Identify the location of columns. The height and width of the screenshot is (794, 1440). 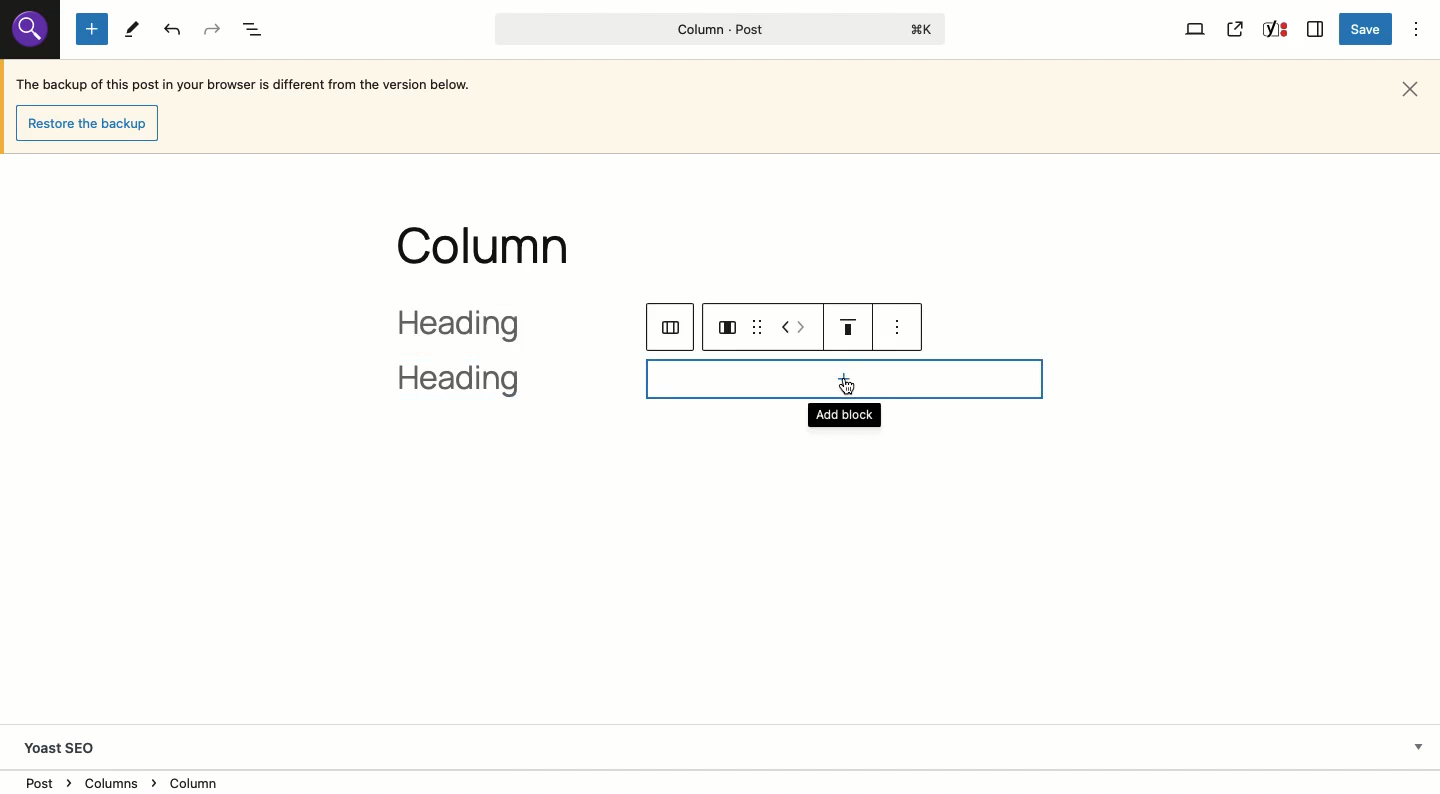
(666, 325).